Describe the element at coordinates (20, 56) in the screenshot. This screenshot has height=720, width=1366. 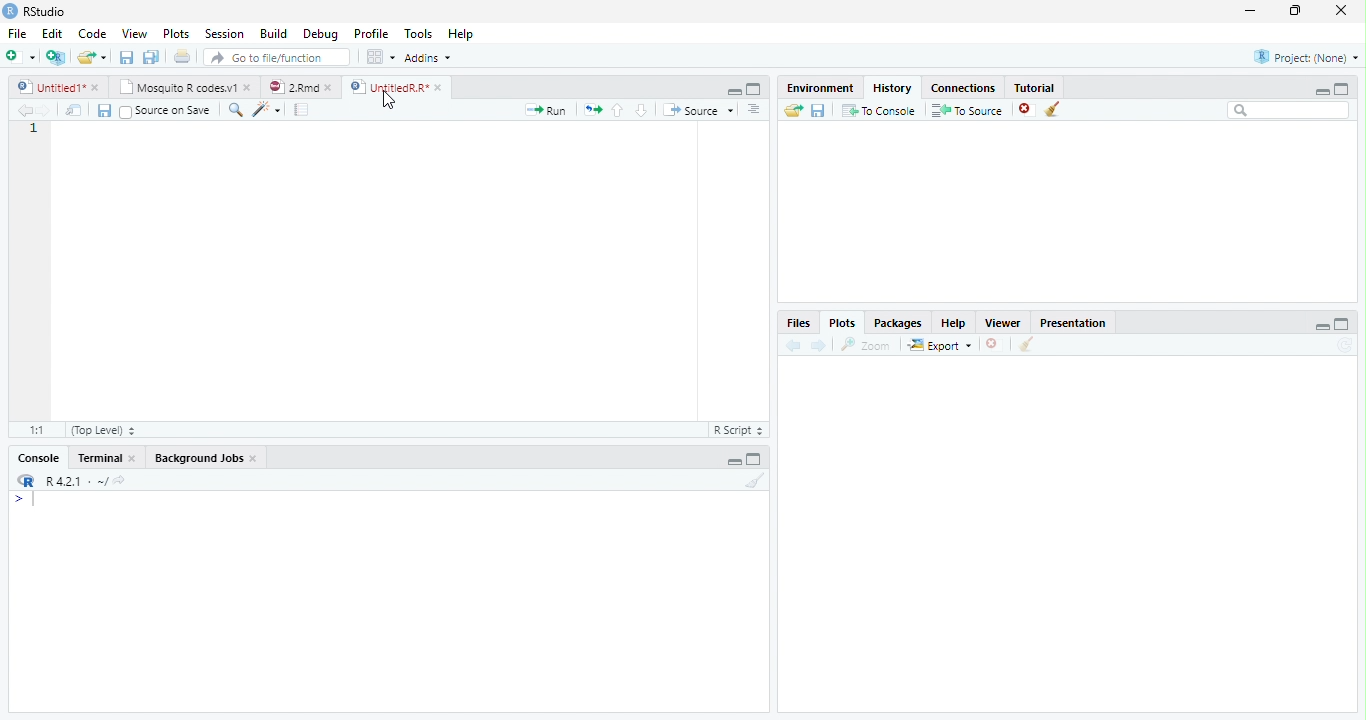
I see `New file` at that location.